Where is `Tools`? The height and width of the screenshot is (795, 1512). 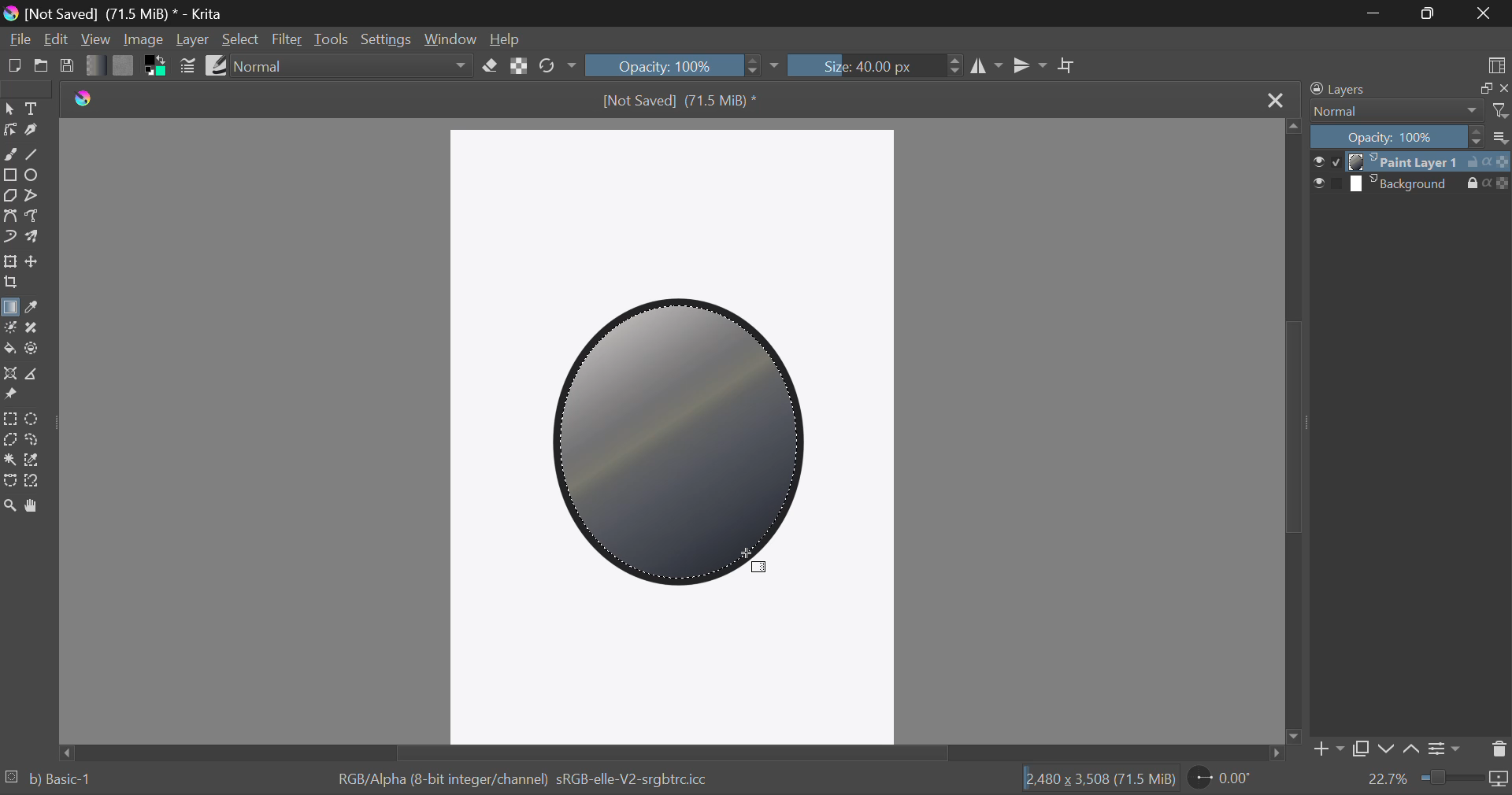
Tools is located at coordinates (332, 39).